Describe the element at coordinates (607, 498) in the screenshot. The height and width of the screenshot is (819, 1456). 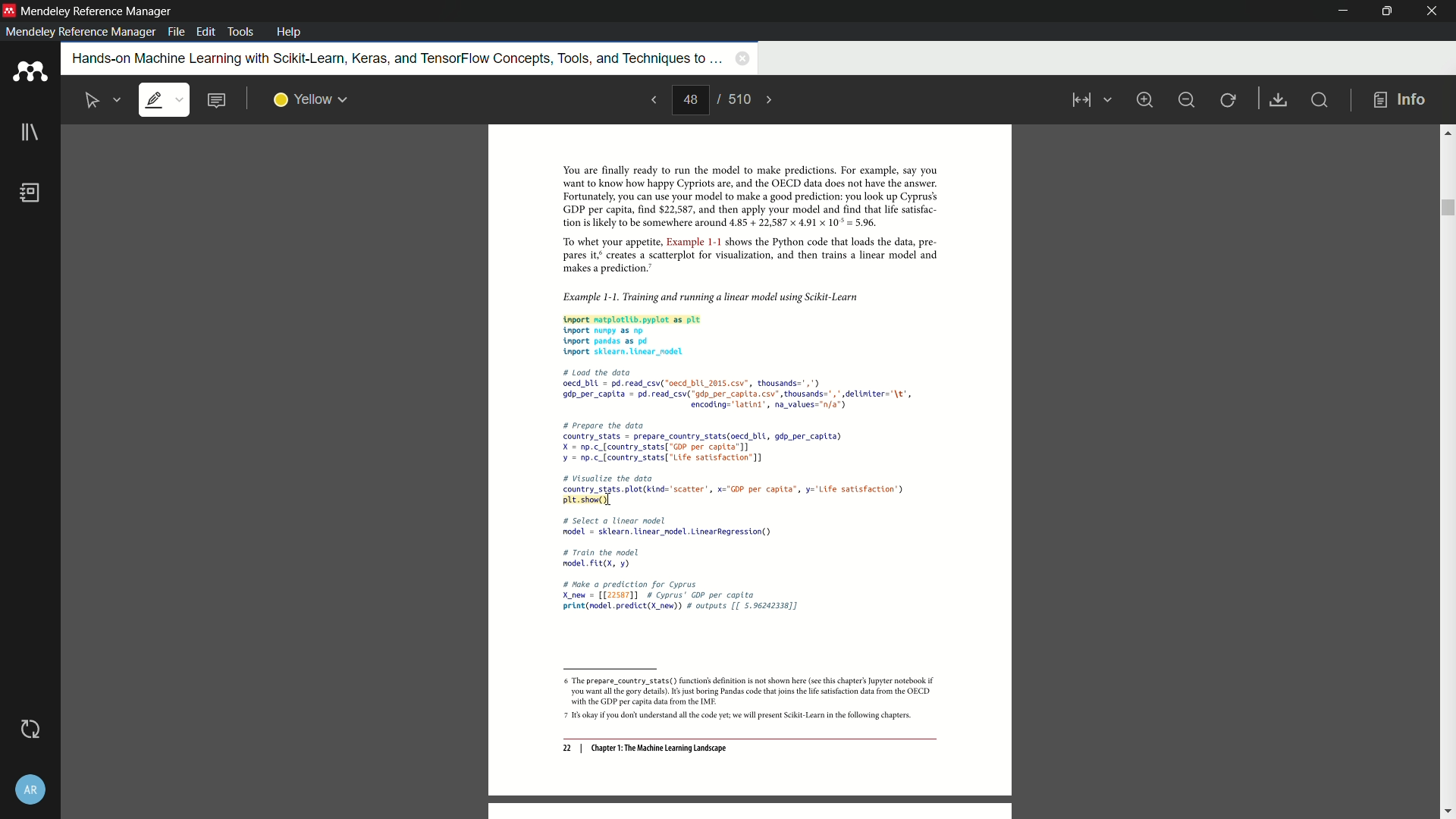
I see `cursor` at that location.